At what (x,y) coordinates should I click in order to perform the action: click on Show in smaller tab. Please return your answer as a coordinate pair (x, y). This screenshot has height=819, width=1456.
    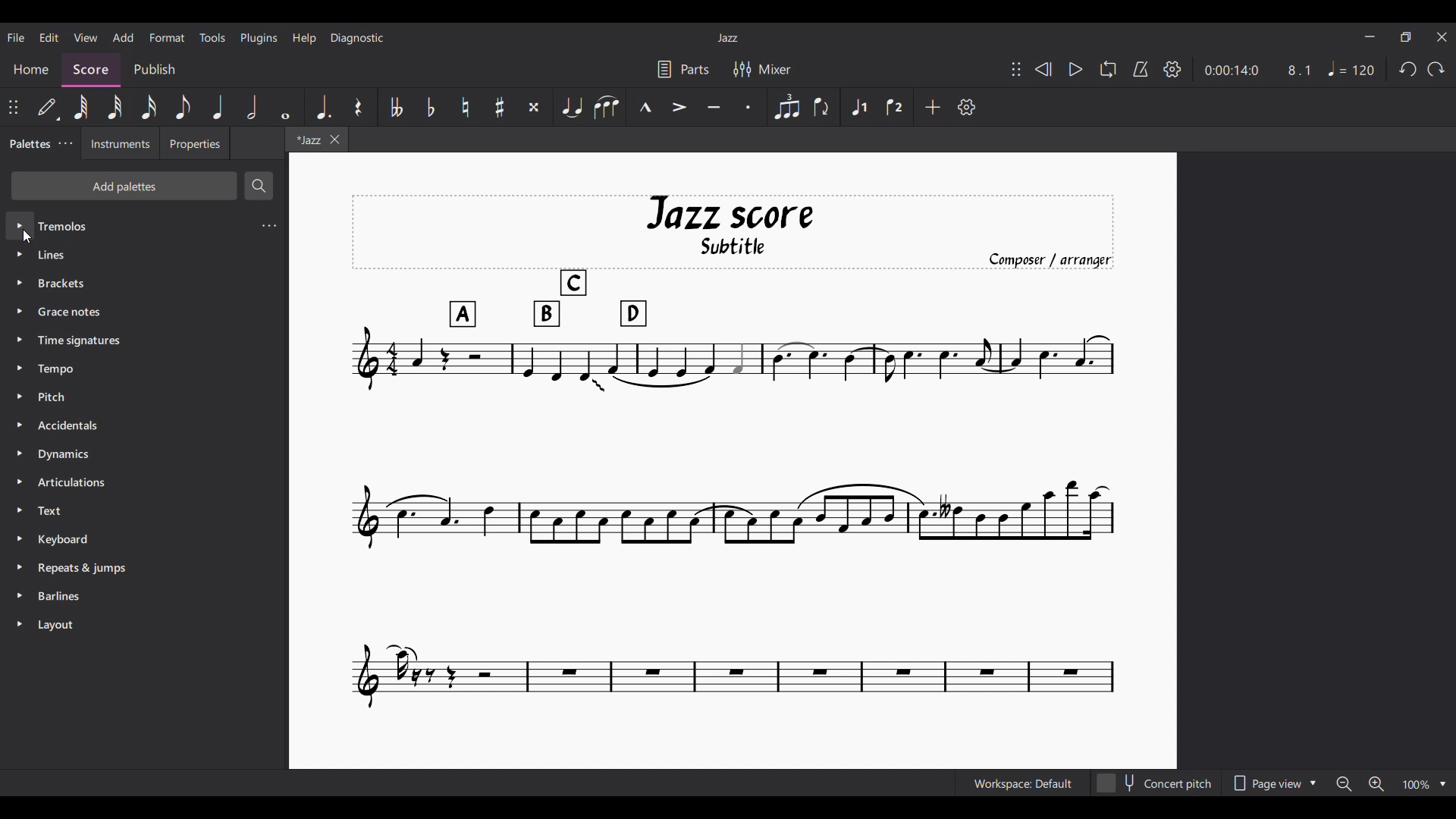
    Looking at the image, I should click on (1406, 36).